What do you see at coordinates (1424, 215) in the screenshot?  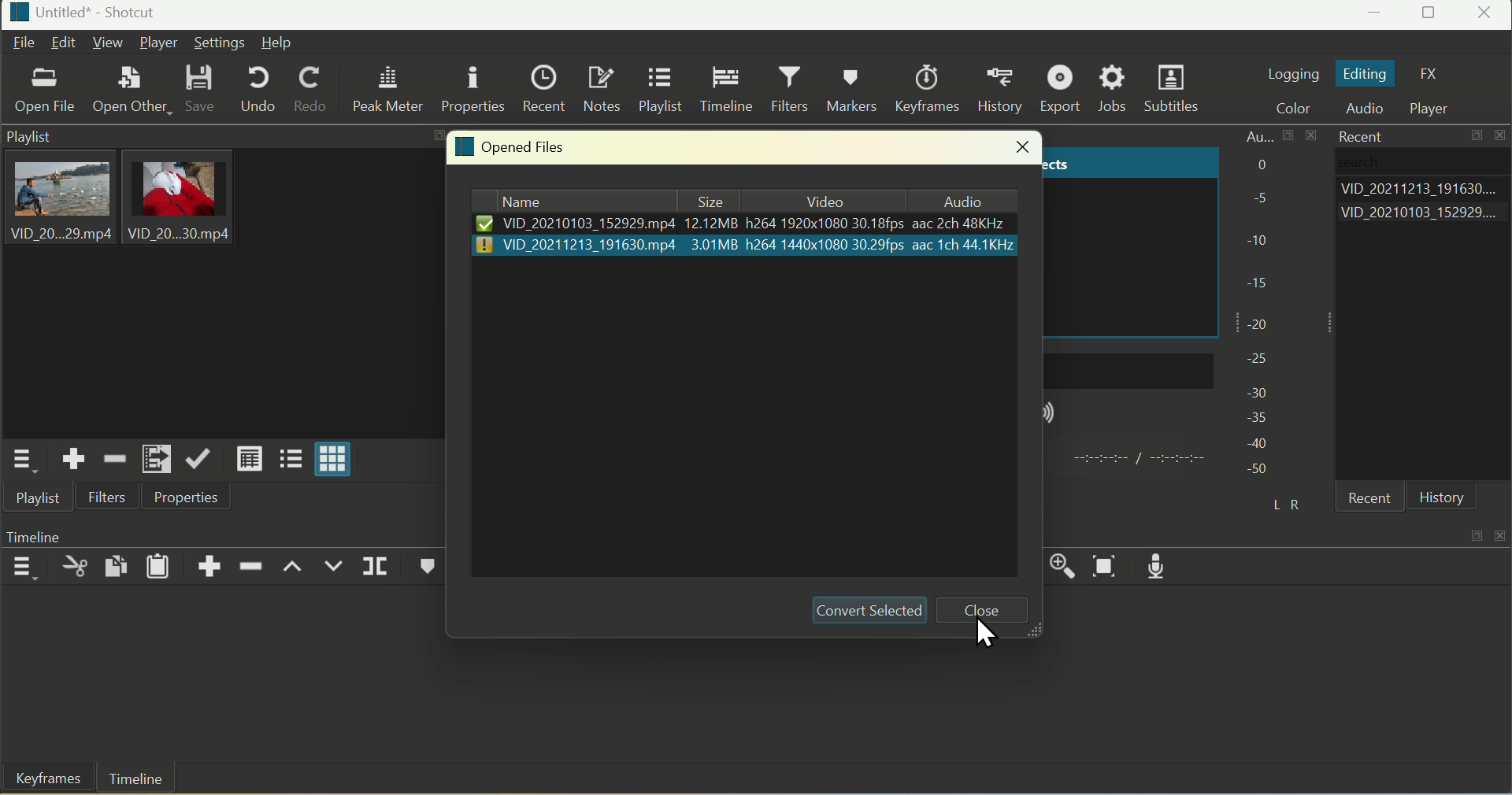 I see `Videos list` at bounding box center [1424, 215].